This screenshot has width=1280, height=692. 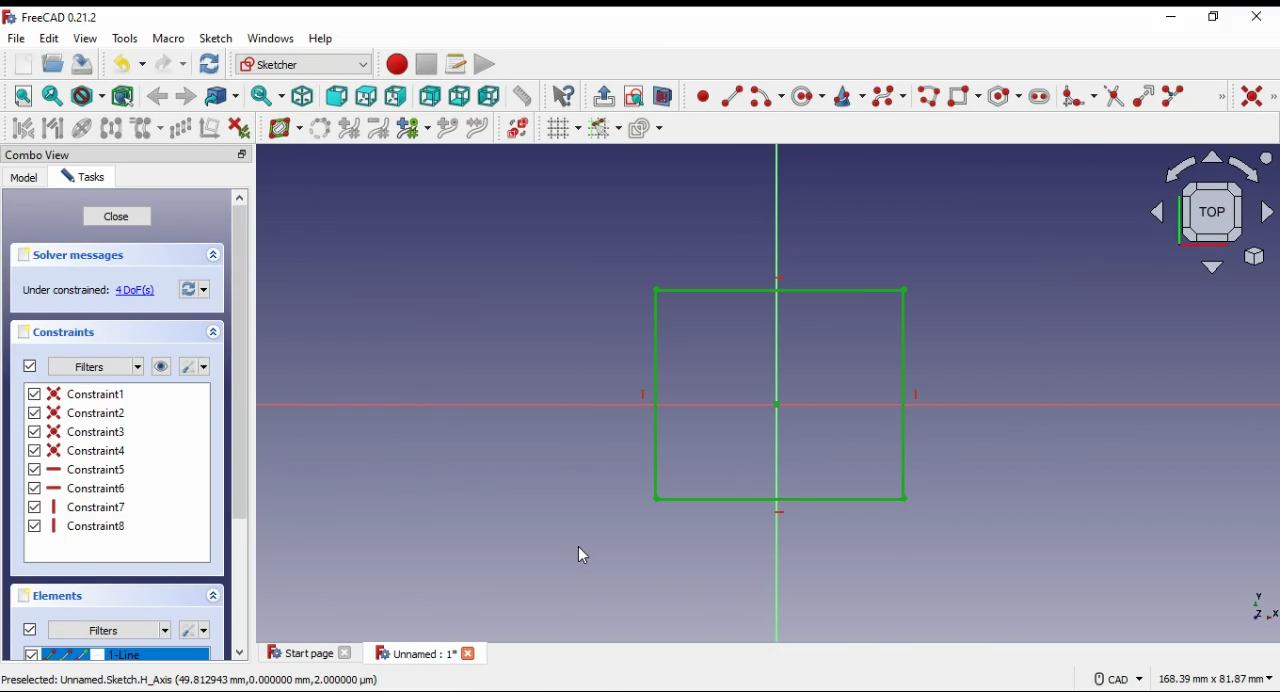 What do you see at coordinates (703, 95) in the screenshot?
I see `create point` at bounding box center [703, 95].